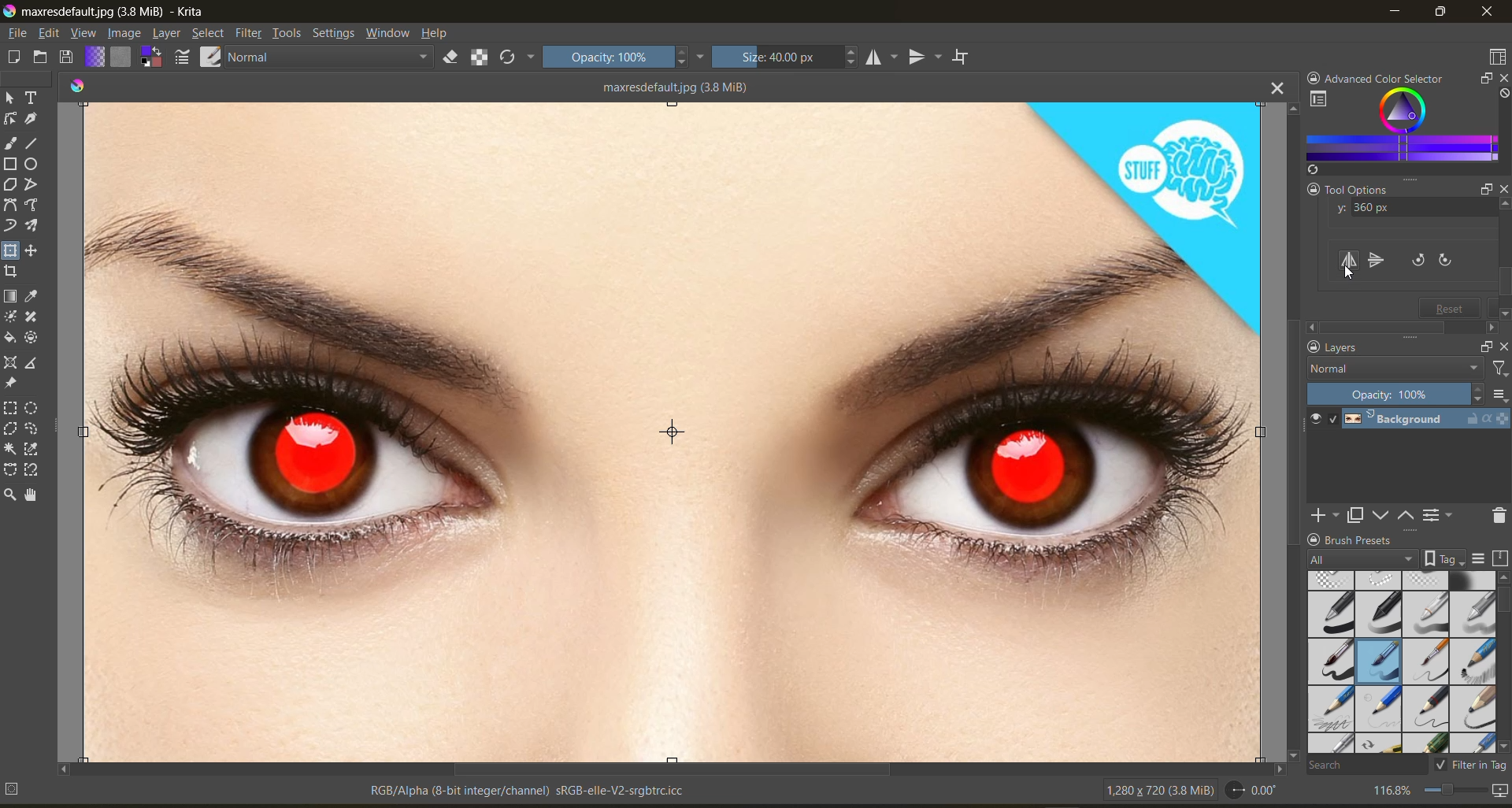  I want to click on metadata, so click(349, 790).